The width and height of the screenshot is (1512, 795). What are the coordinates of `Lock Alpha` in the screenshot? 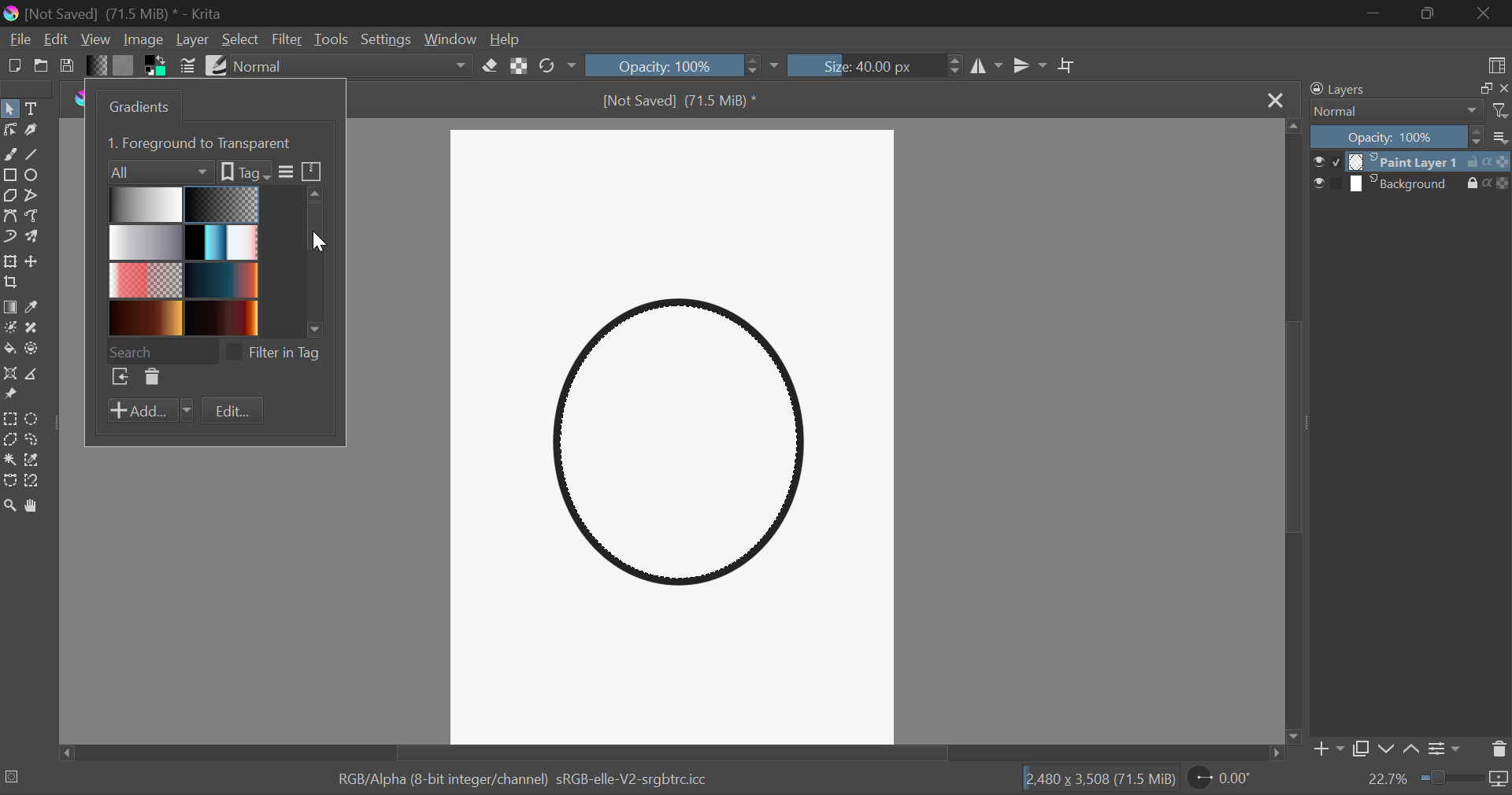 It's located at (521, 66).